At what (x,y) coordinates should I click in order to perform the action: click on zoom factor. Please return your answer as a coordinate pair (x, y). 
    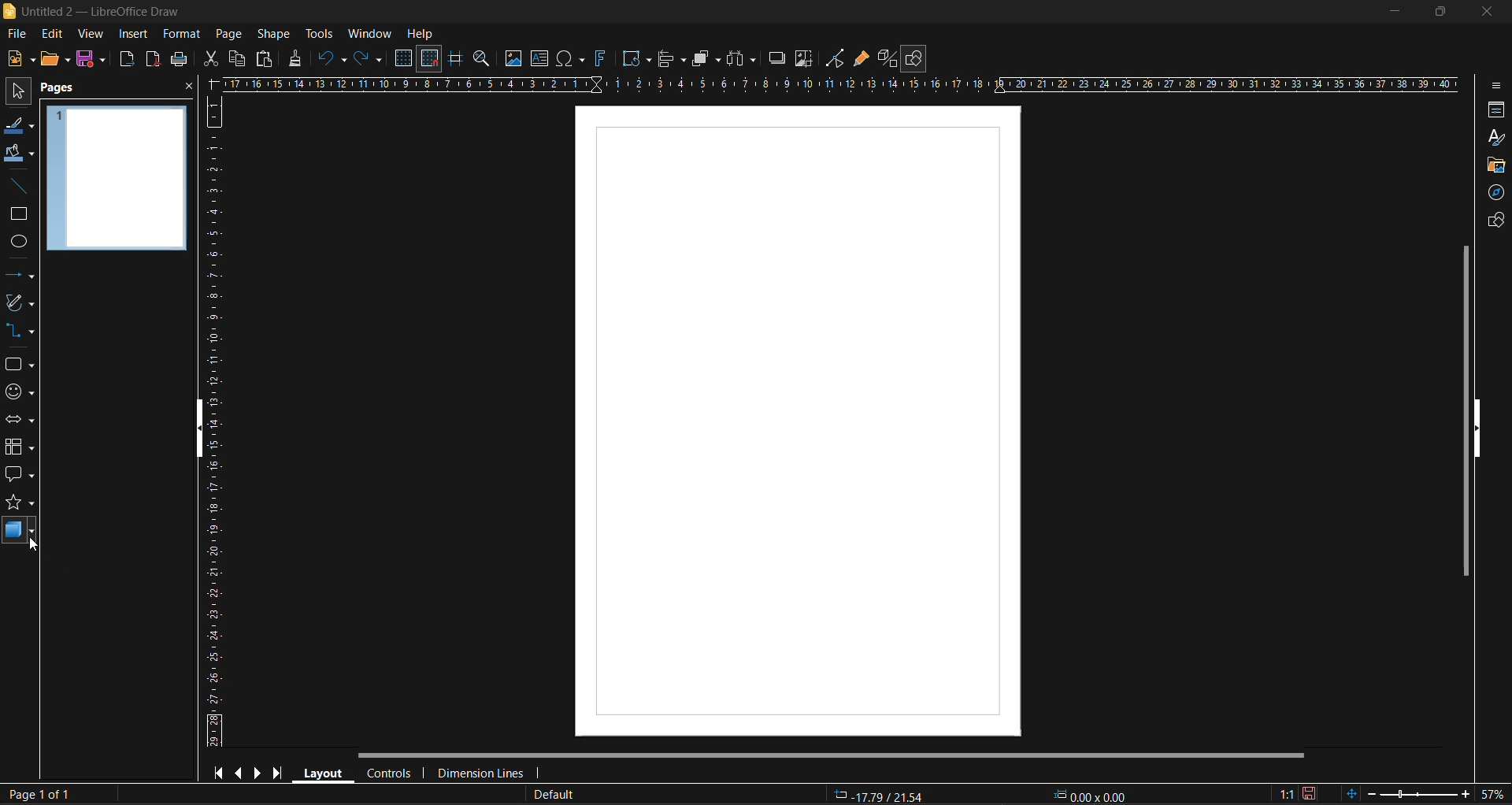
    Looking at the image, I should click on (1494, 792).